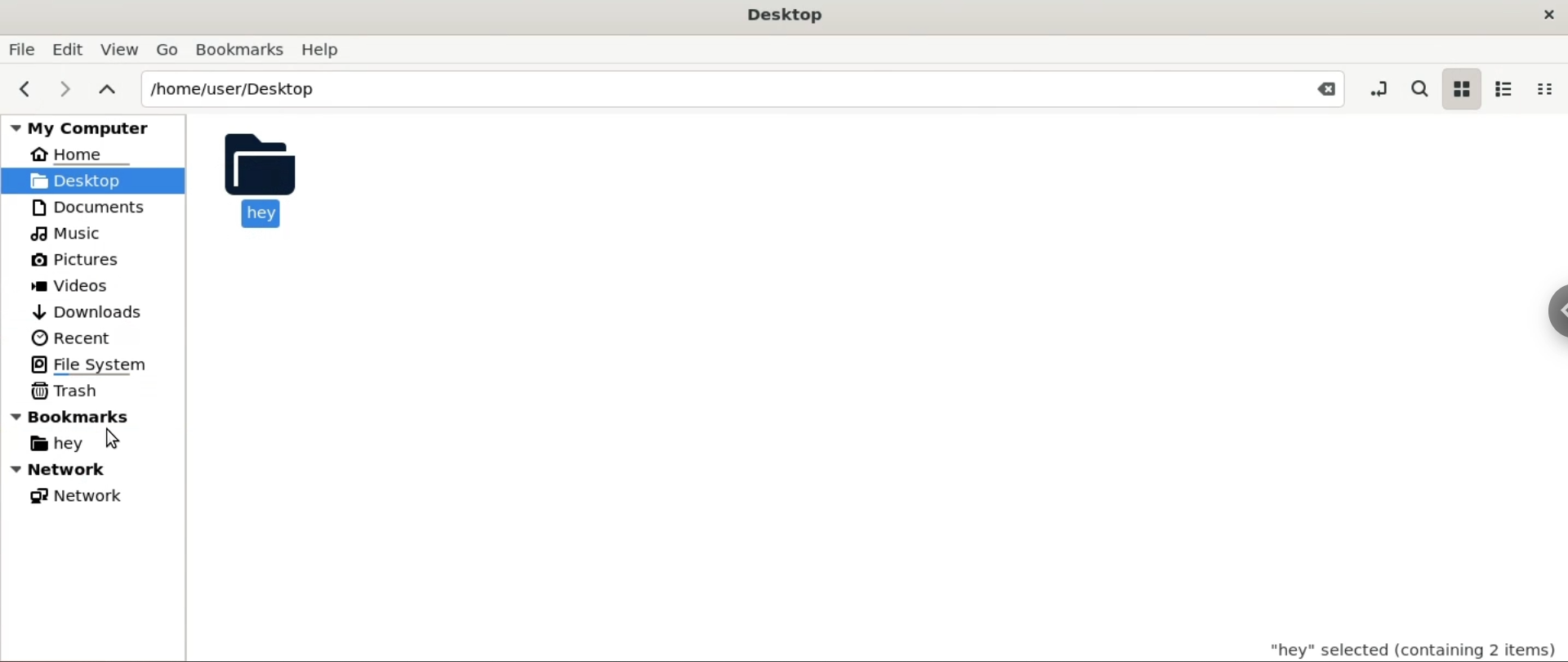 This screenshot has width=1568, height=662. Describe the element at coordinates (109, 91) in the screenshot. I see `parent folders` at that location.